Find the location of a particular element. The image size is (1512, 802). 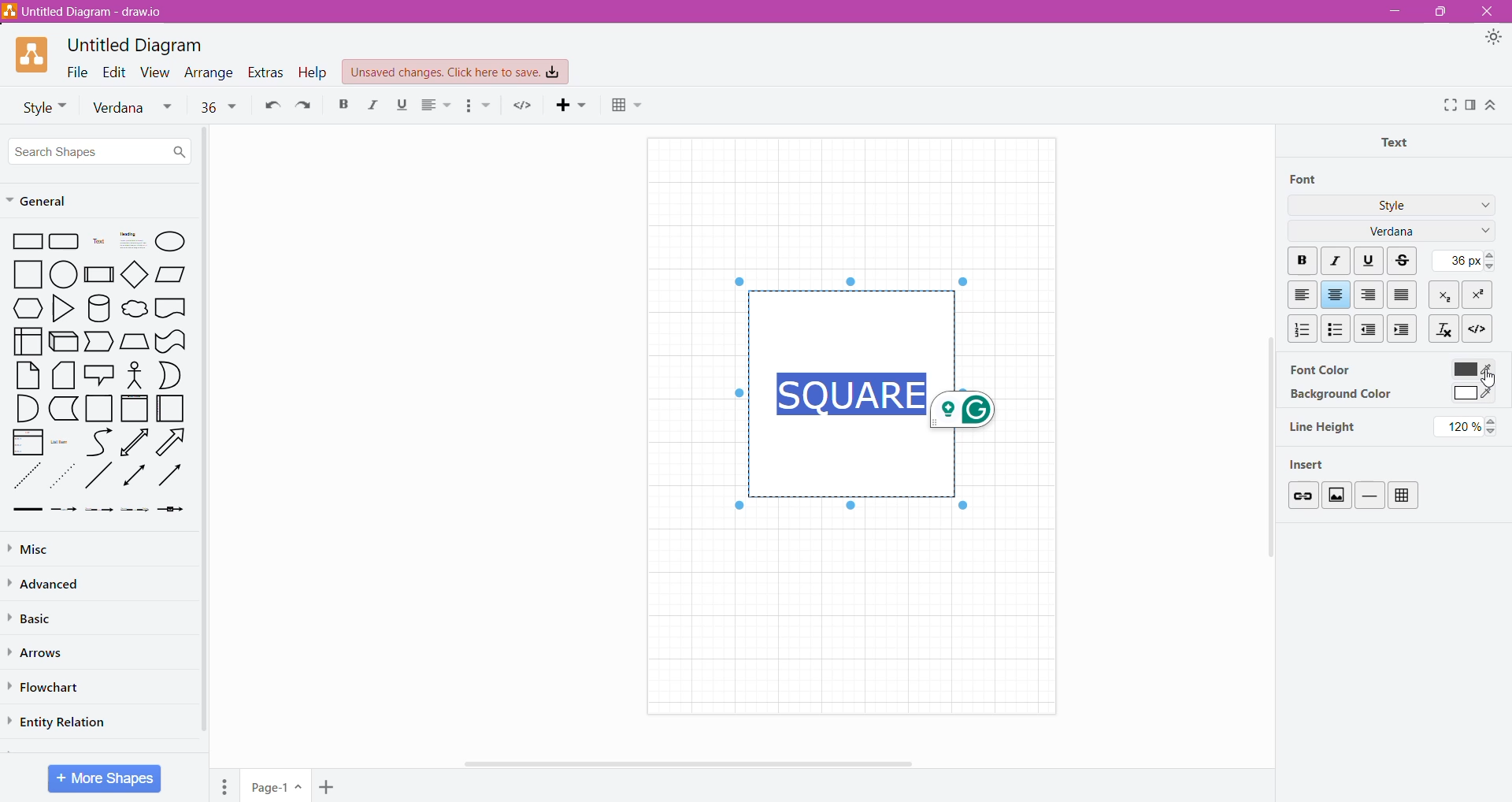

Text Alignment is located at coordinates (438, 105).